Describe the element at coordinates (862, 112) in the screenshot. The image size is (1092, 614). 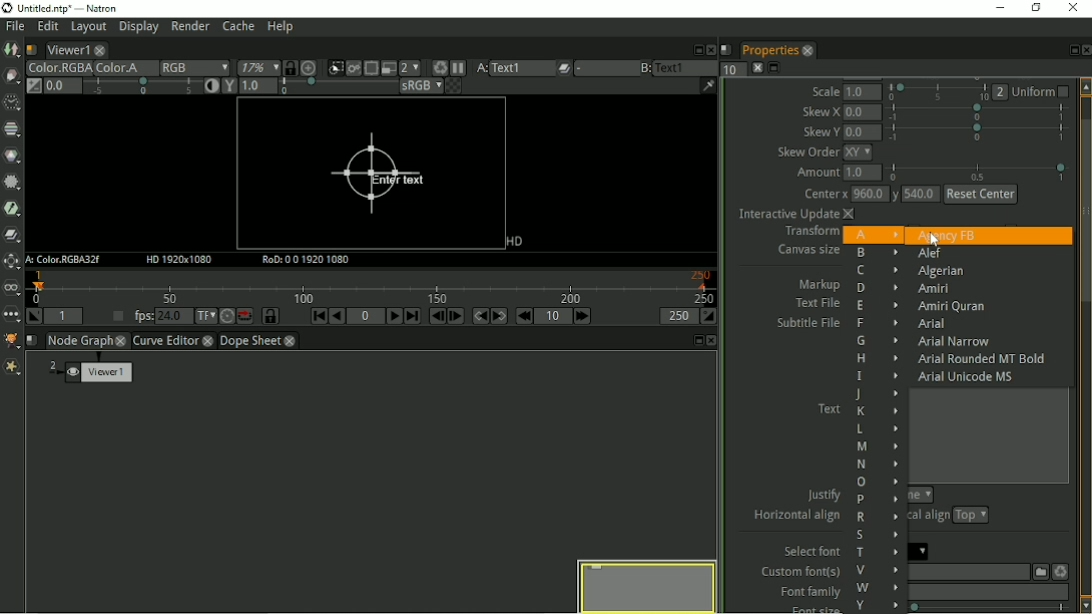
I see `0.0` at that location.